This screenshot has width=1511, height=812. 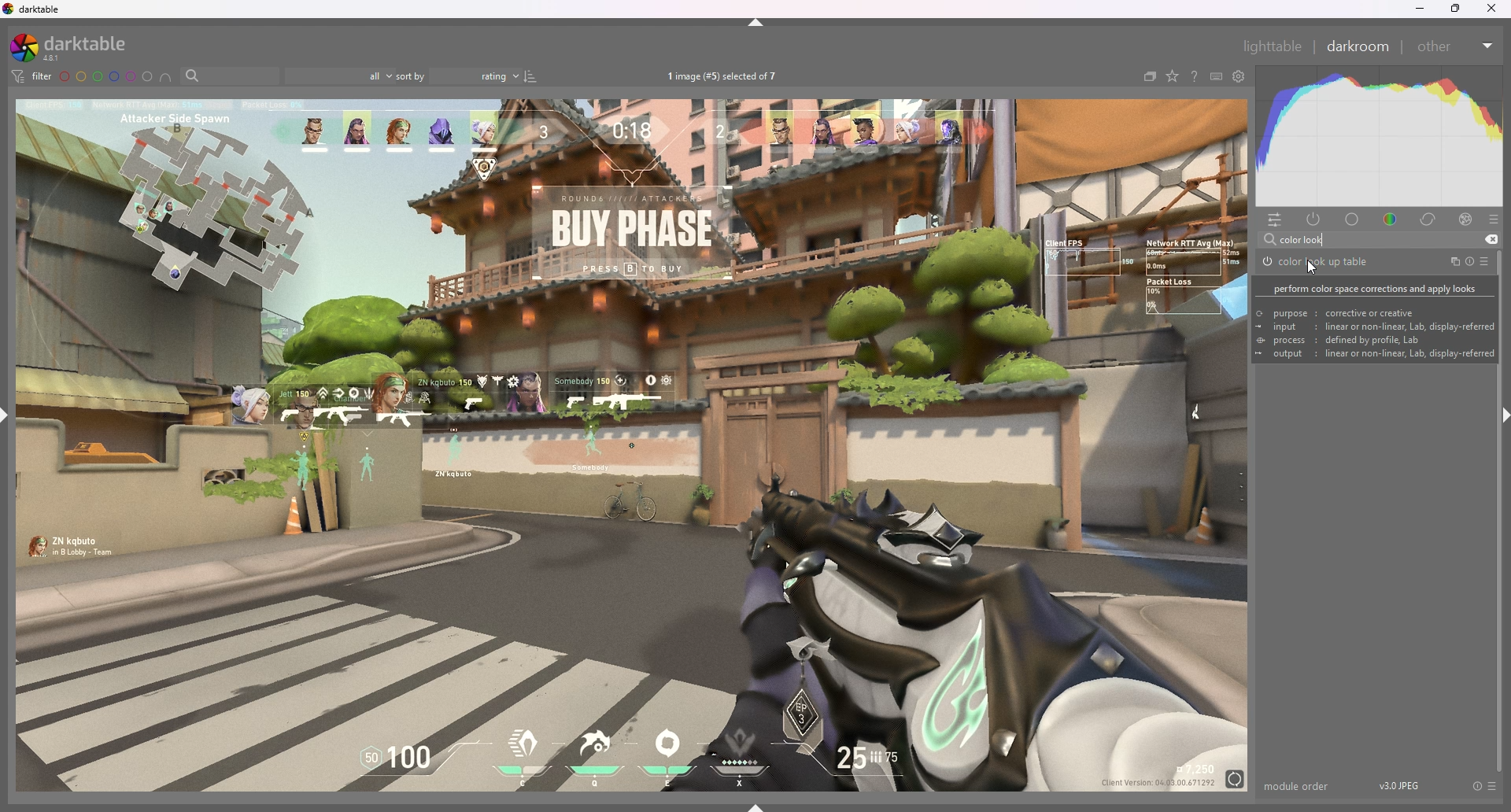 I want to click on color, so click(x=1392, y=220).